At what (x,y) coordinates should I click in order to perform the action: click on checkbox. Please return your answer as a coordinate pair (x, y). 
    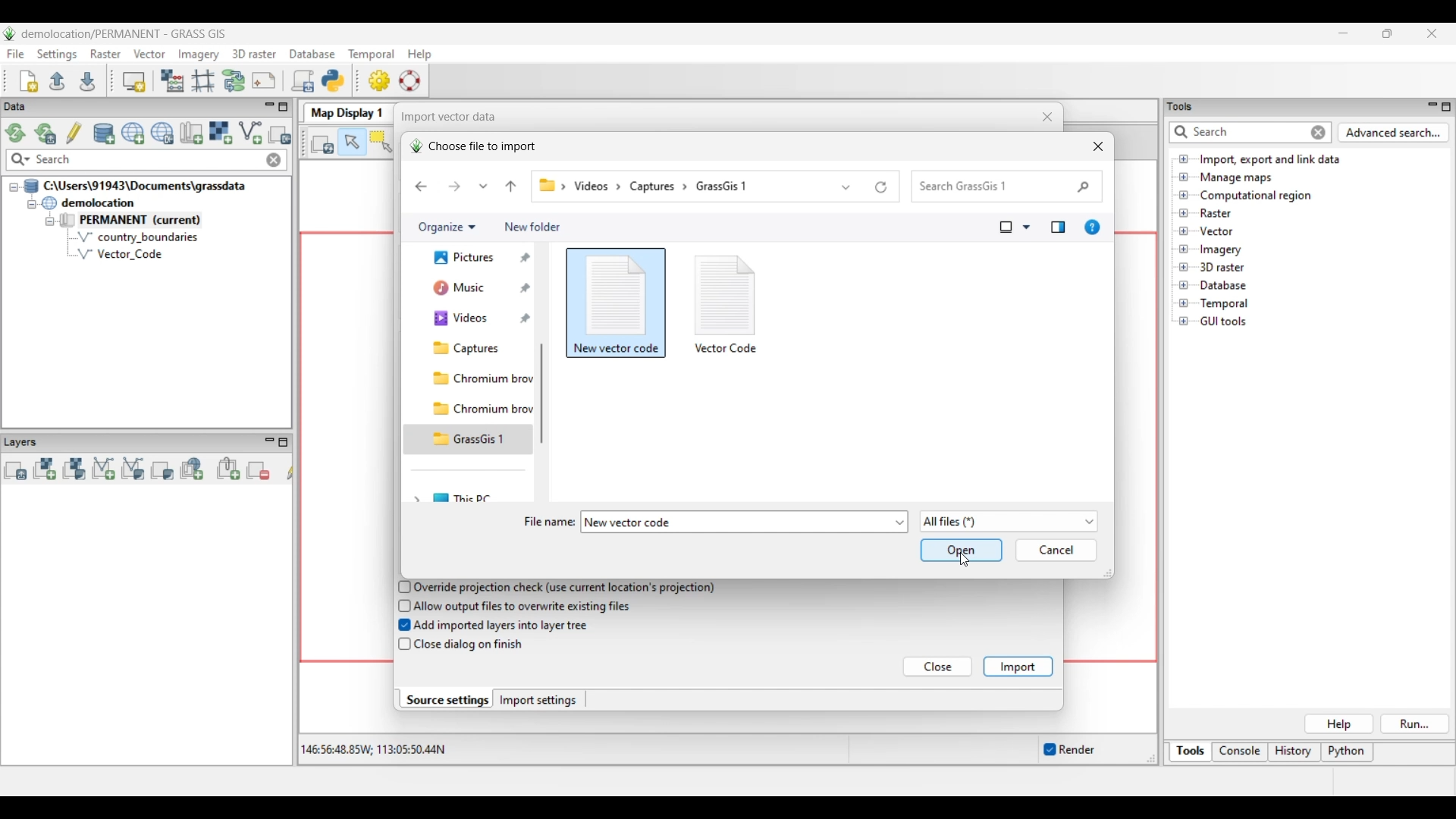
    Looking at the image, I should click on (401, 605).